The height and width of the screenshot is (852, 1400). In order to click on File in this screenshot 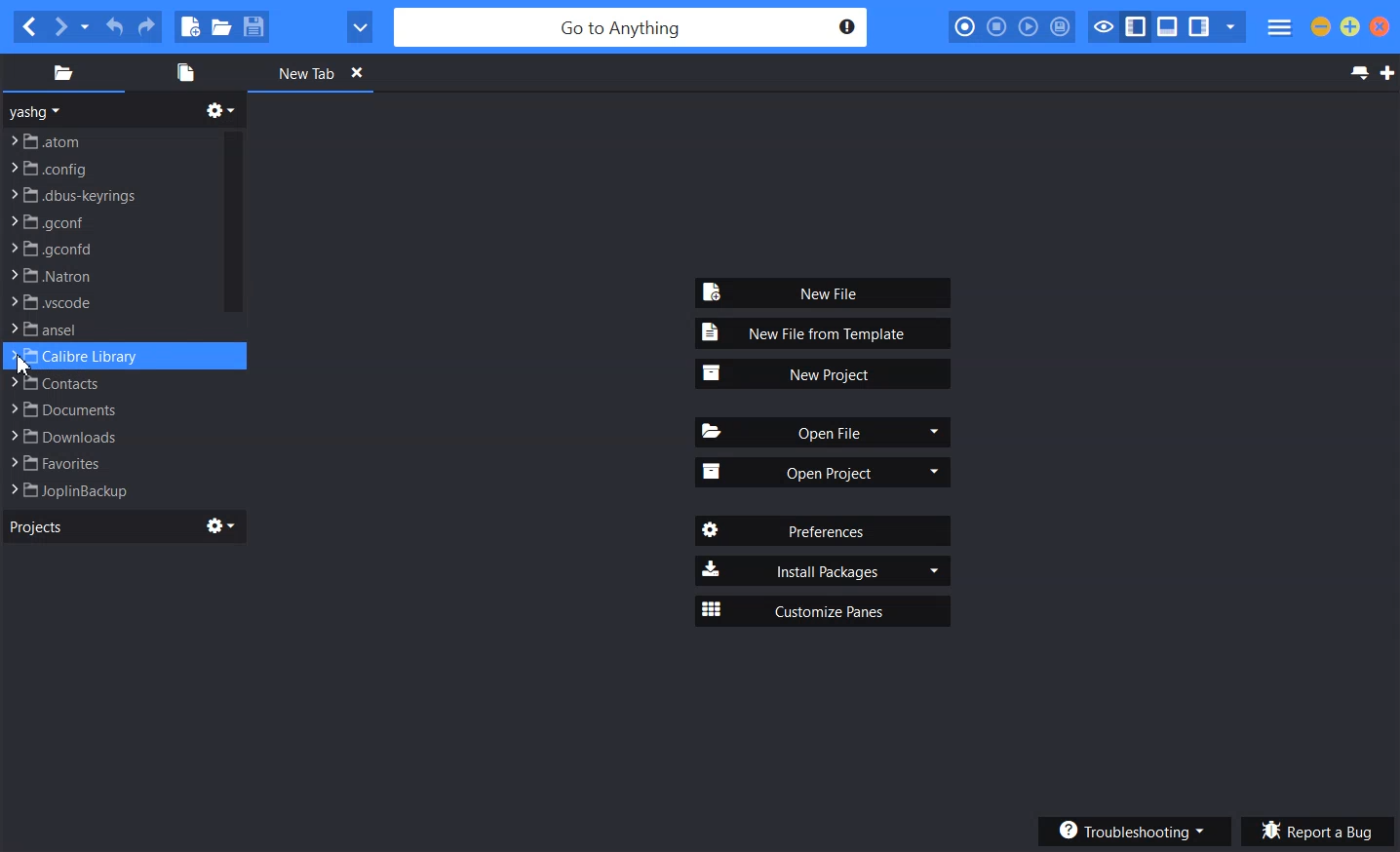, I will do `click(108, 329)`.